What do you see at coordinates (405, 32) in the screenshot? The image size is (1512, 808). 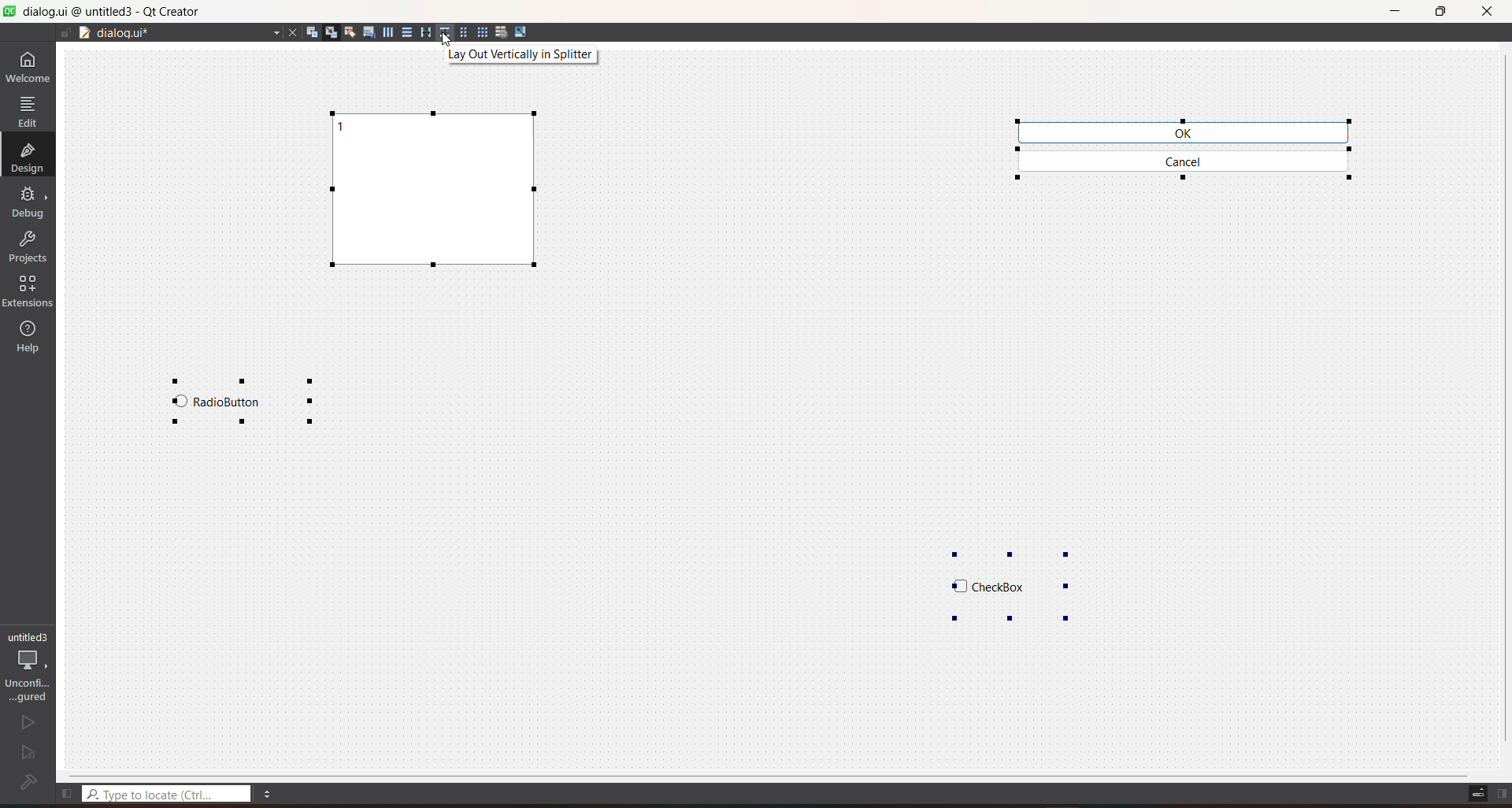 I see `layout vertically` at bounding box center [405, 32].